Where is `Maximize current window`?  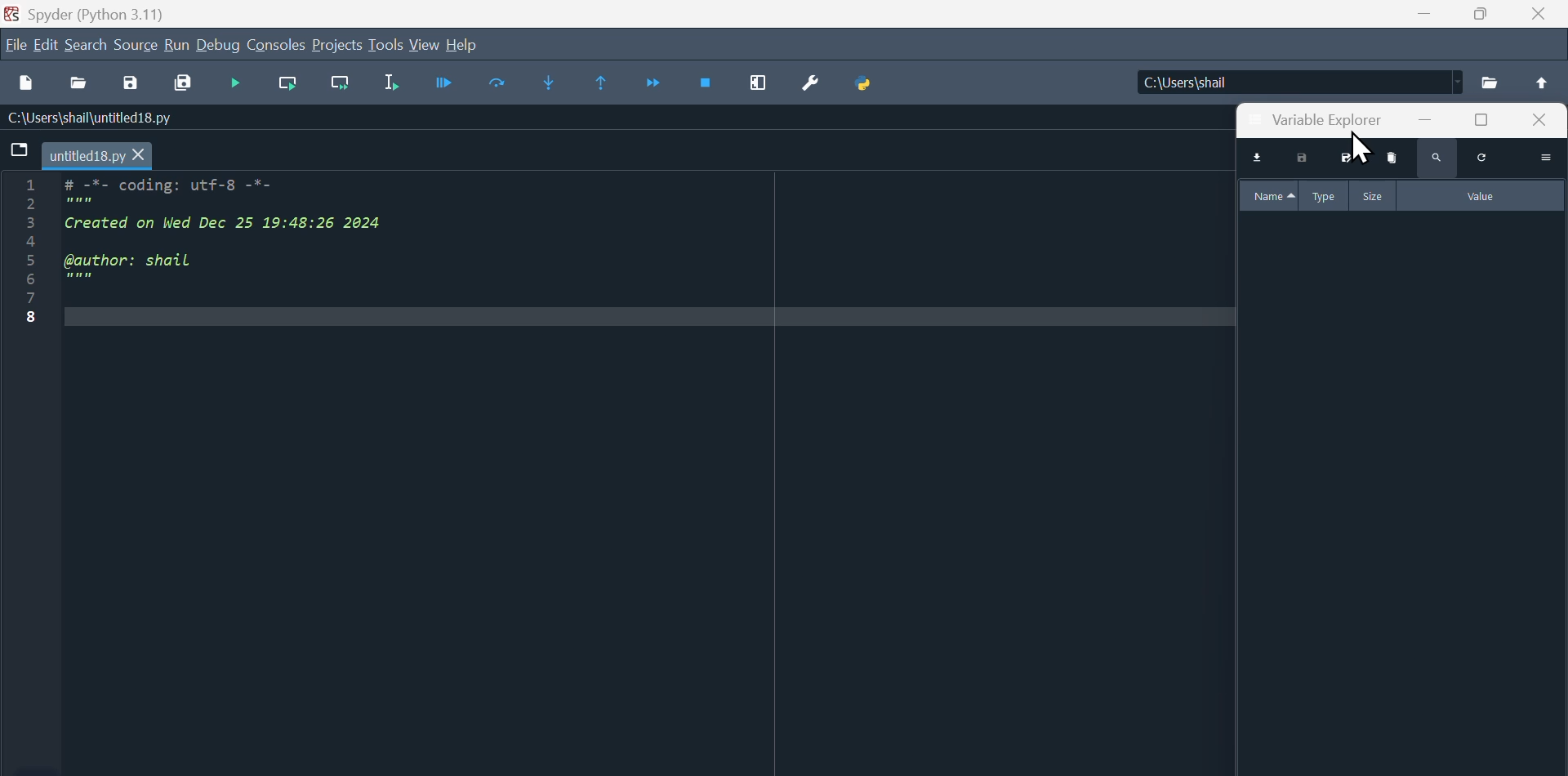 Maximize current window is located at coordinates (757, 87).